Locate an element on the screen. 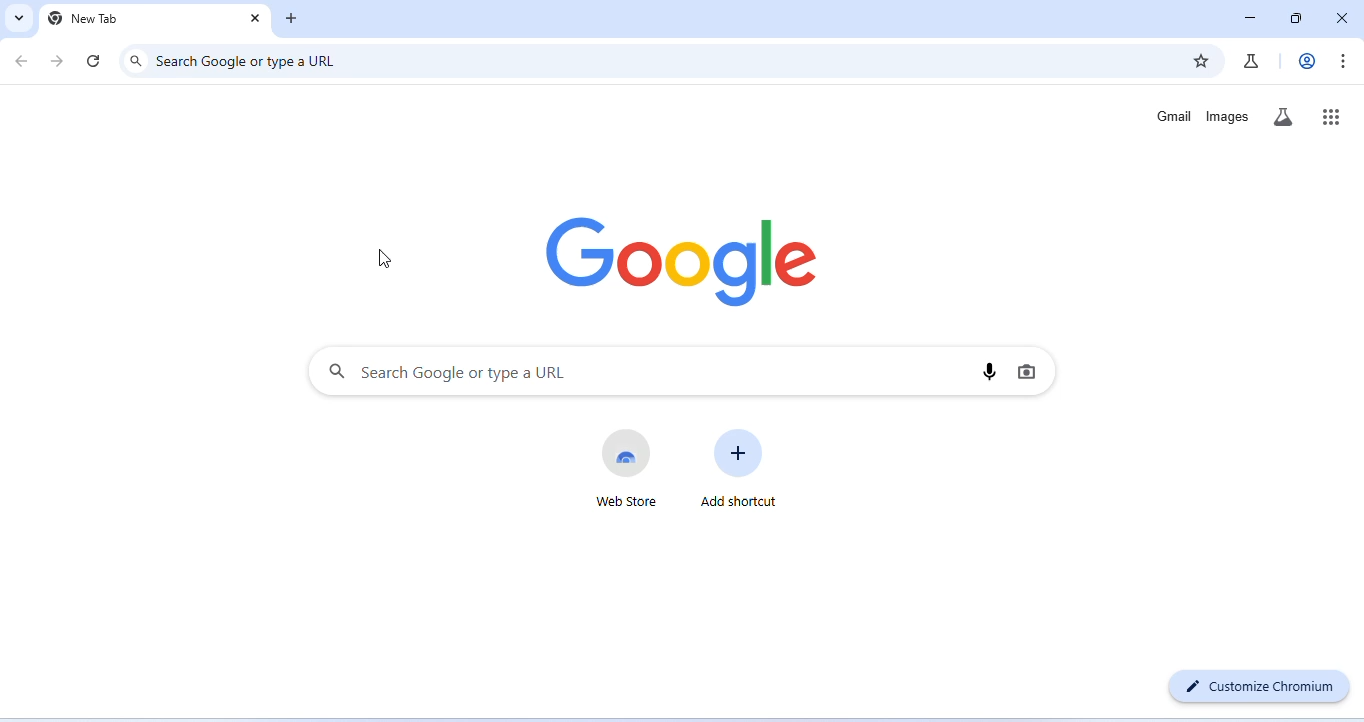  chrome labs is located at coordinates (1251, 60).